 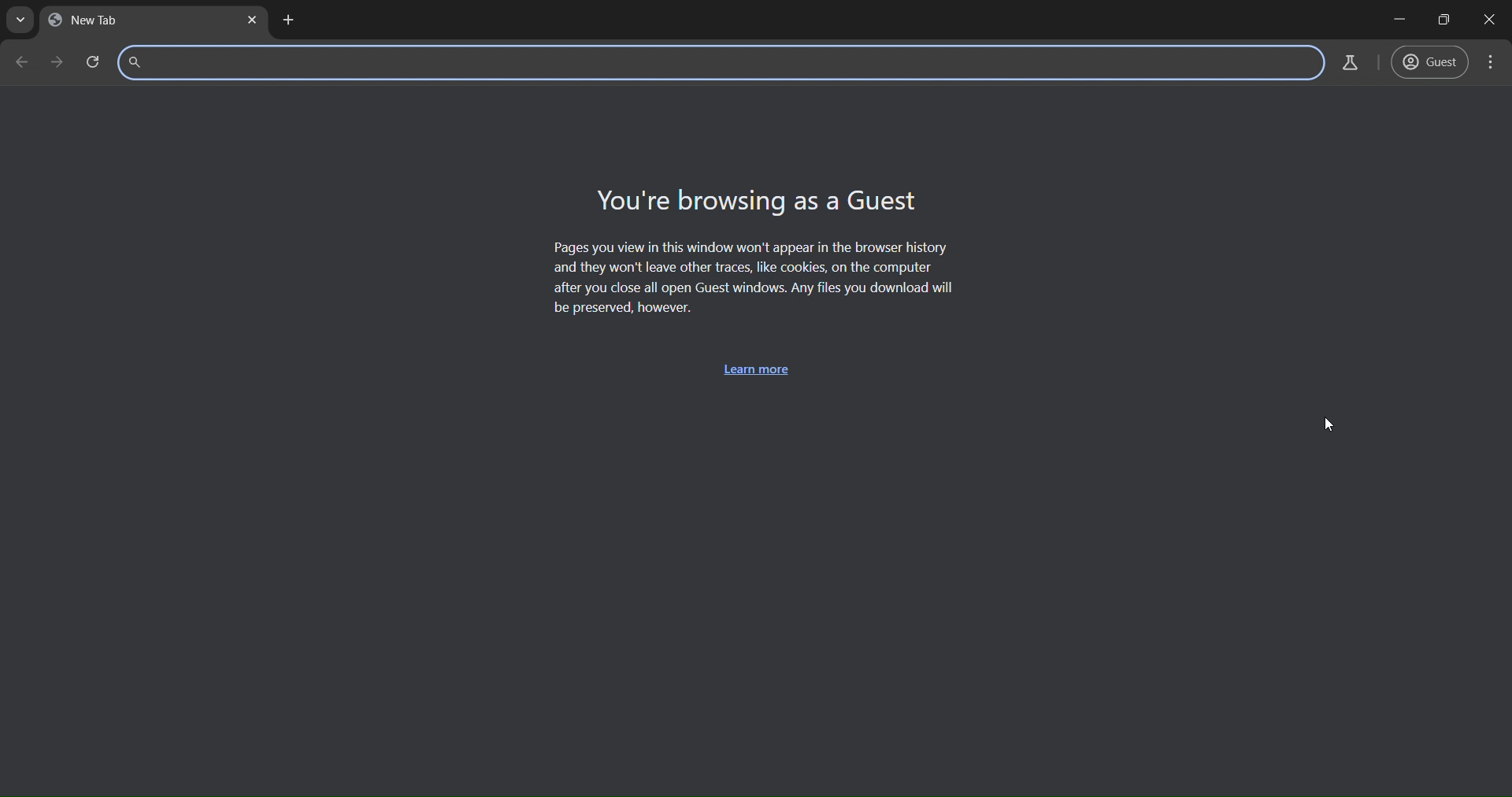 What do you see at coordinates (1397, 20) in the screenshot?
I see `minimize` at bounding box center [1397, 20].